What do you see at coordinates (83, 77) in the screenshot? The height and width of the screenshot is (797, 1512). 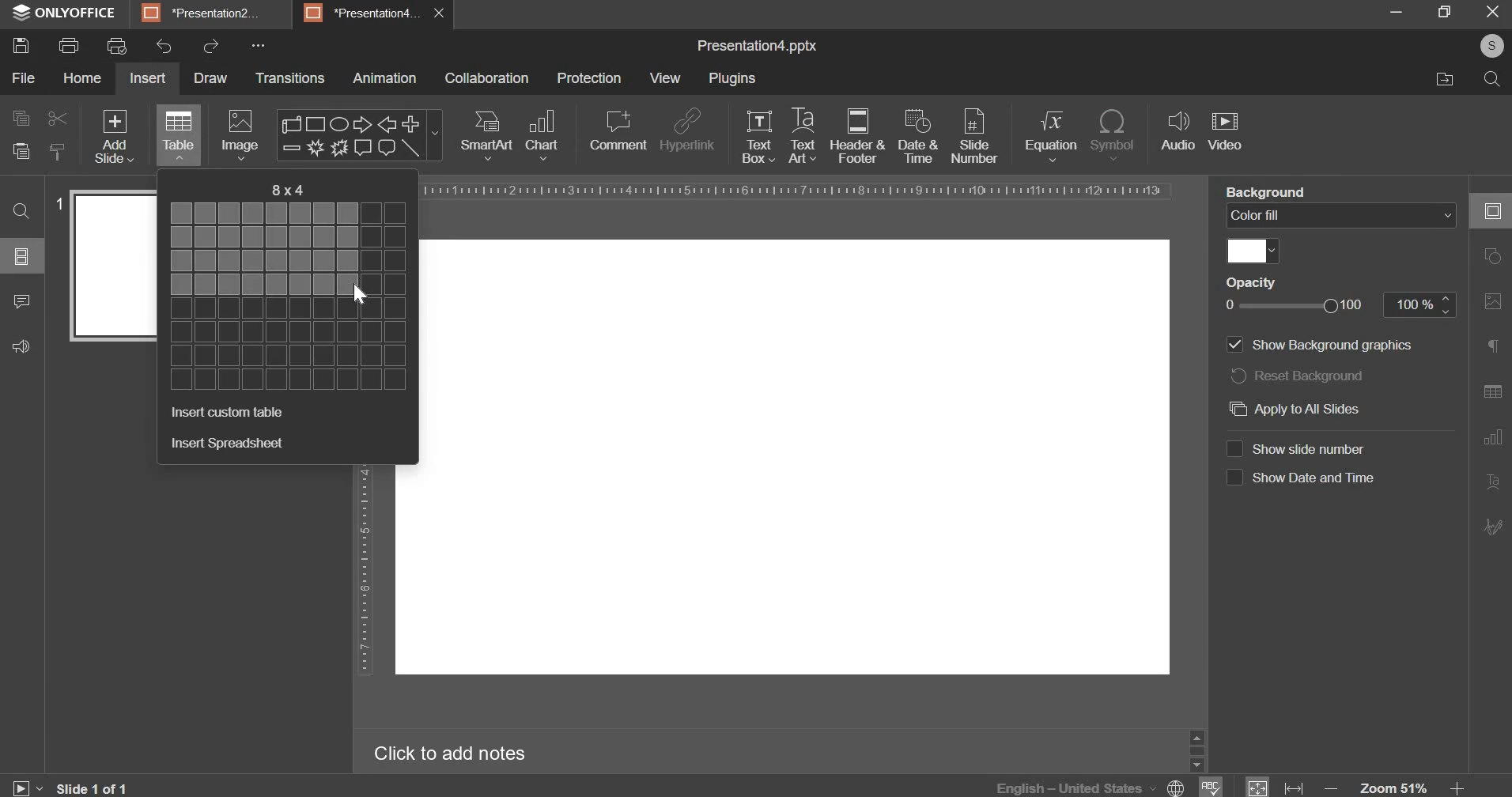 I see `home` at bounding box center [83, 77].